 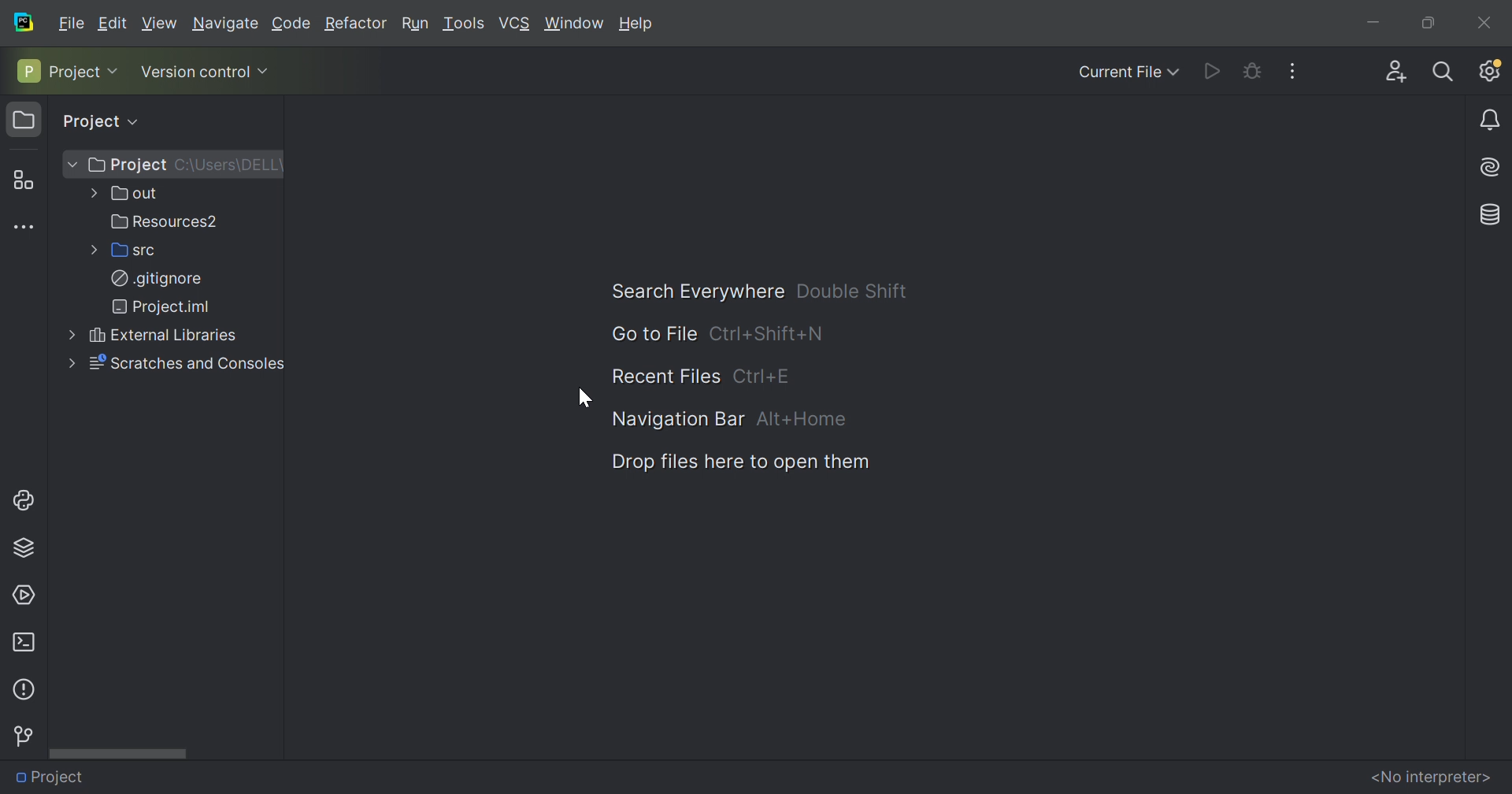 I want to click on <No interpreter>, so click(x=1430, y=776).